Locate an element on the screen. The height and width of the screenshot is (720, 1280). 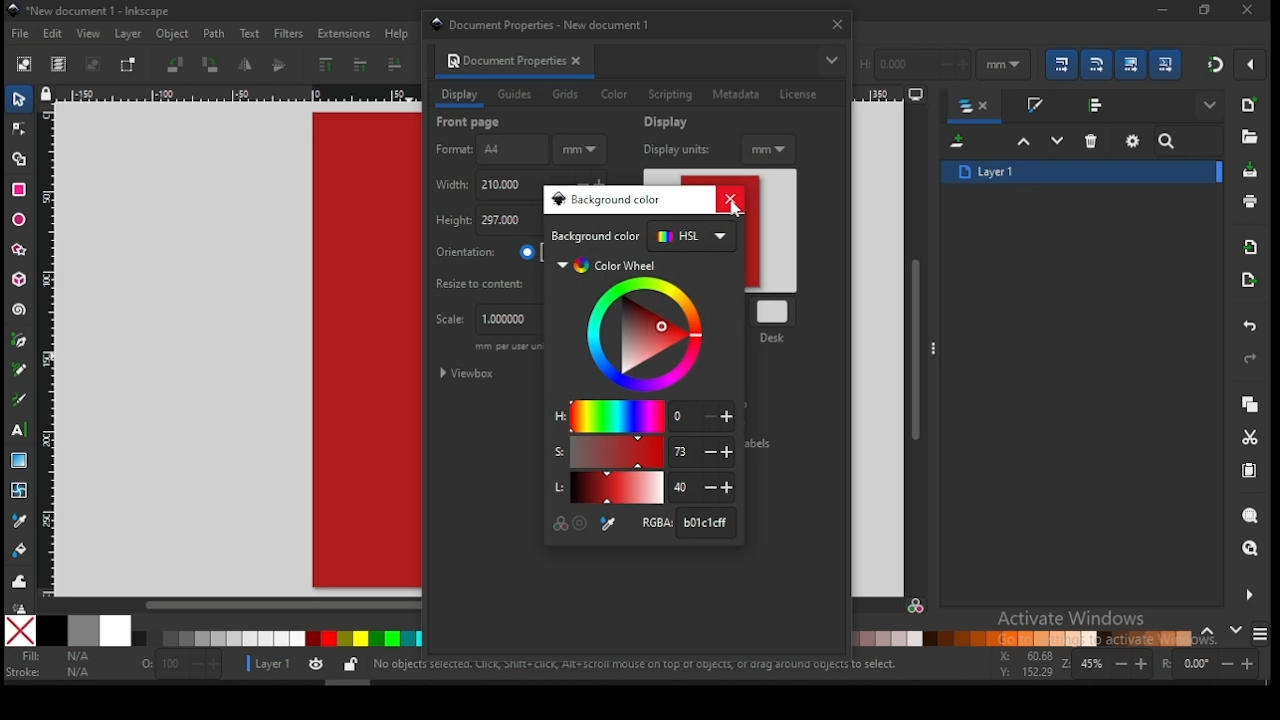
page orientation: vertical/horizontal is located at coordinates (487, 252).